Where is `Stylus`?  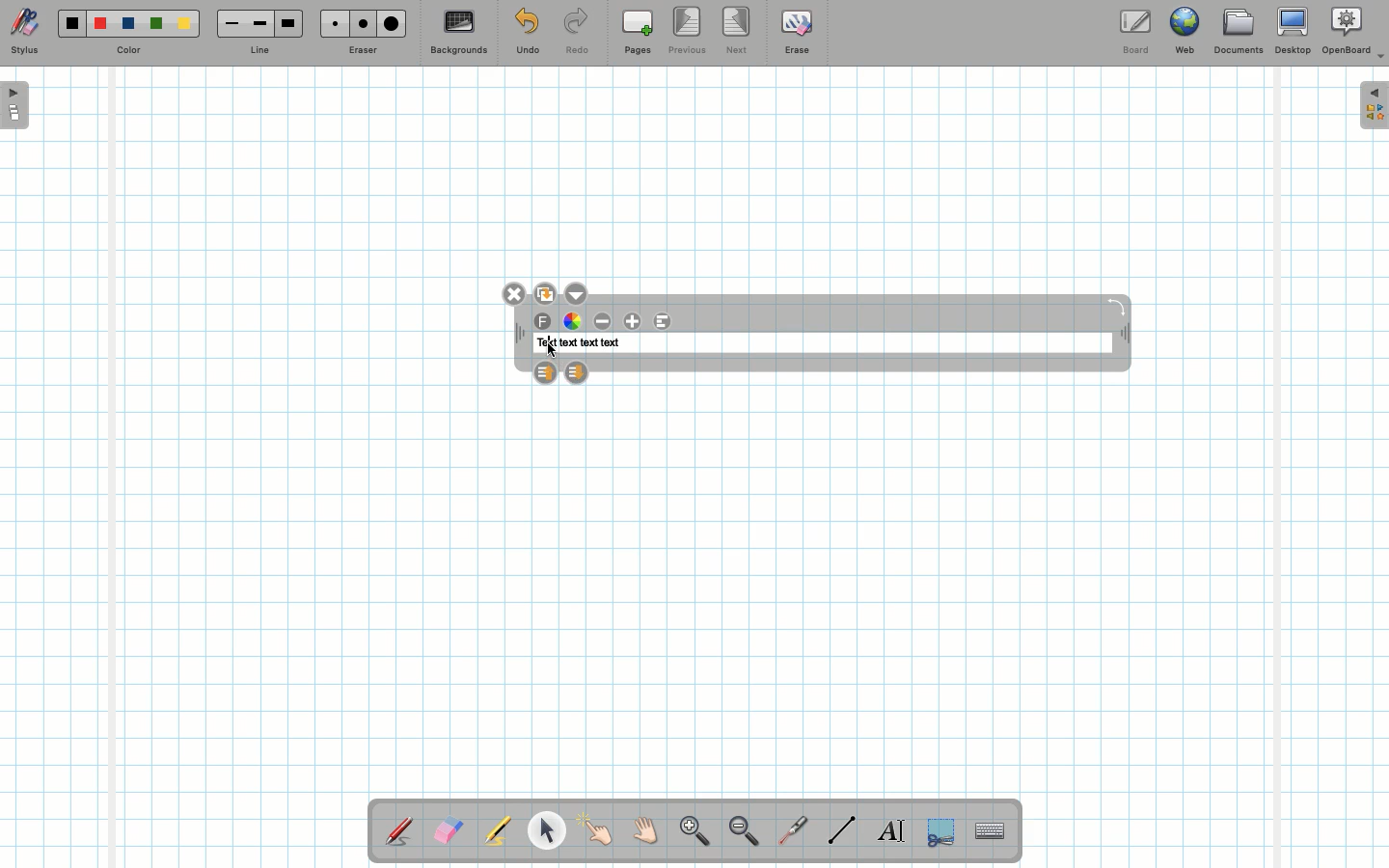
Stylus is located at coordinates (24, 32).